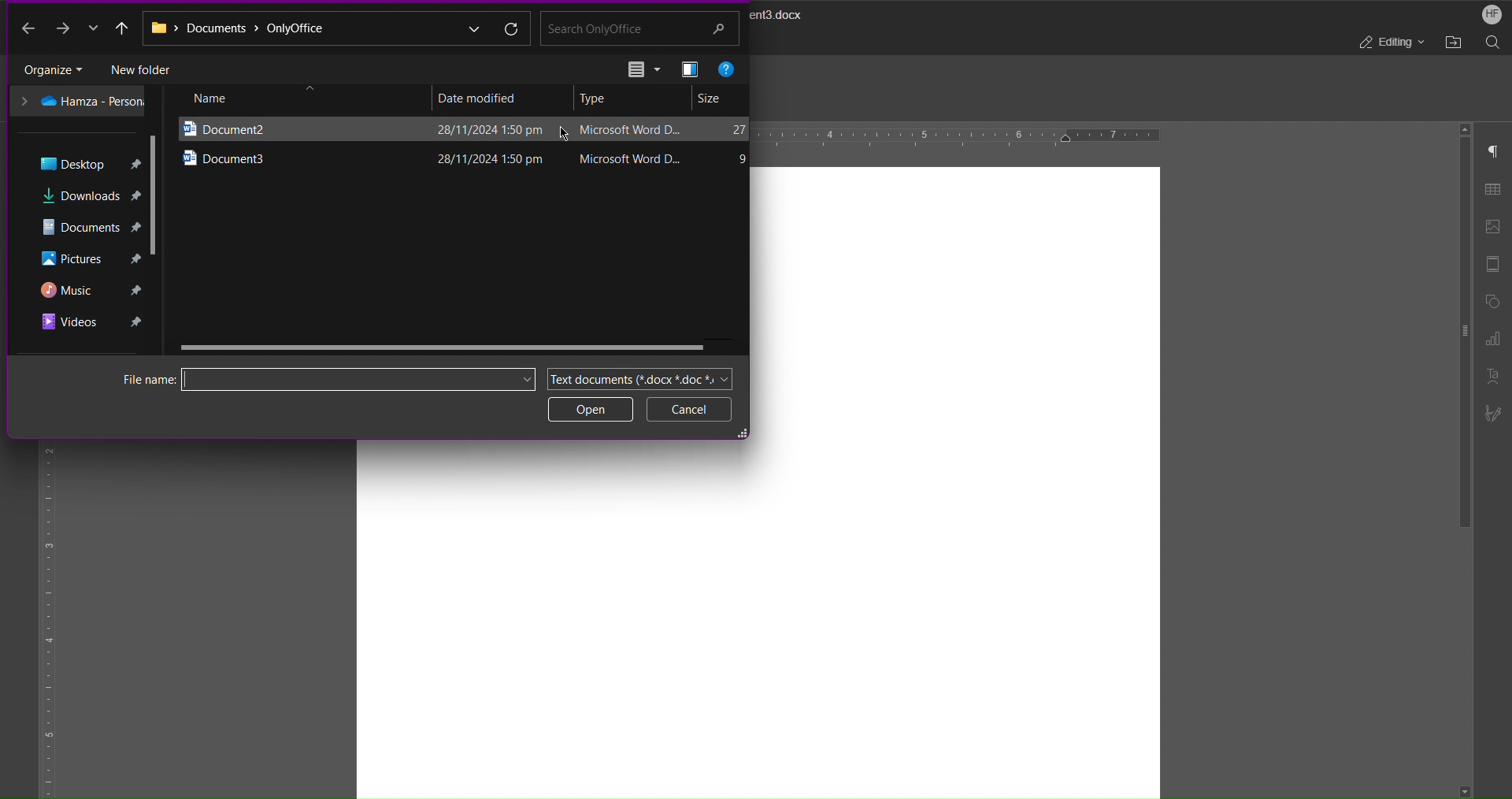  Describe the element at coordinates (1390, 43) in the screenshot. I see `Editing` at that location.